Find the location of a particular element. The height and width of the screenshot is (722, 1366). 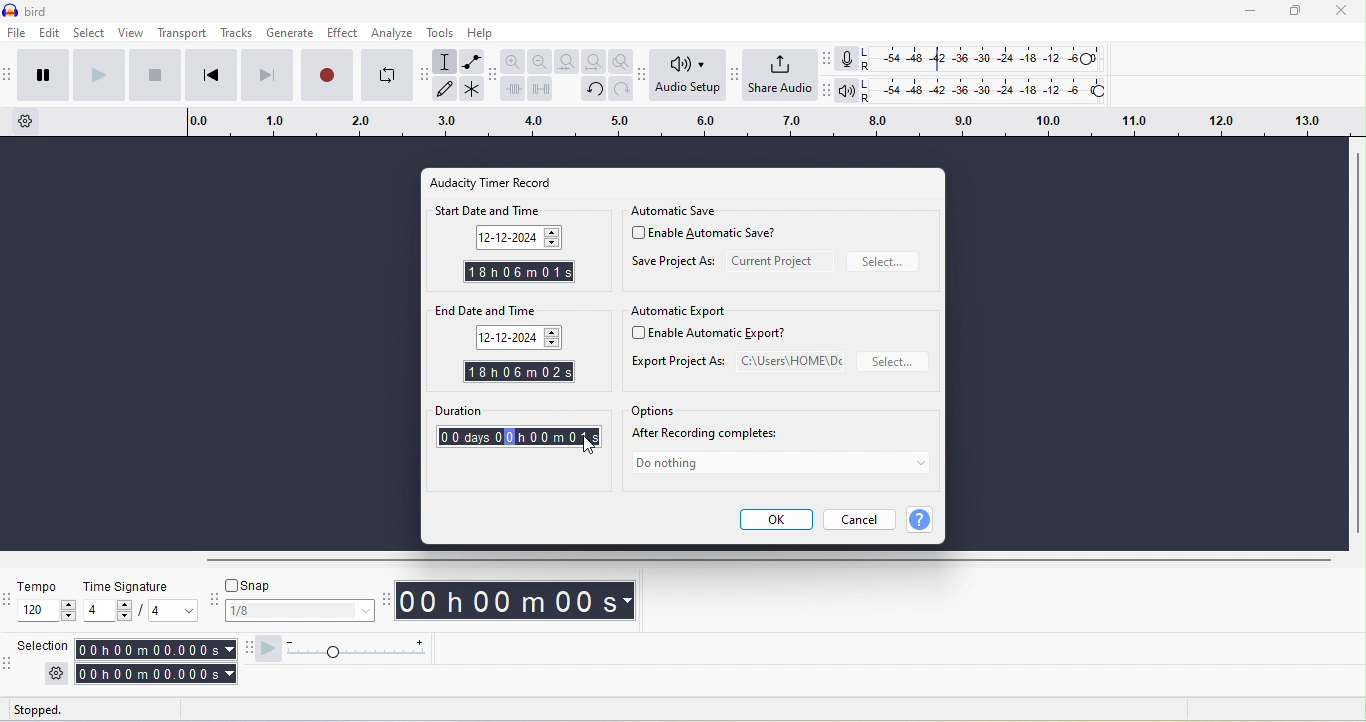

1/8 is located at coordinates (299, 611).